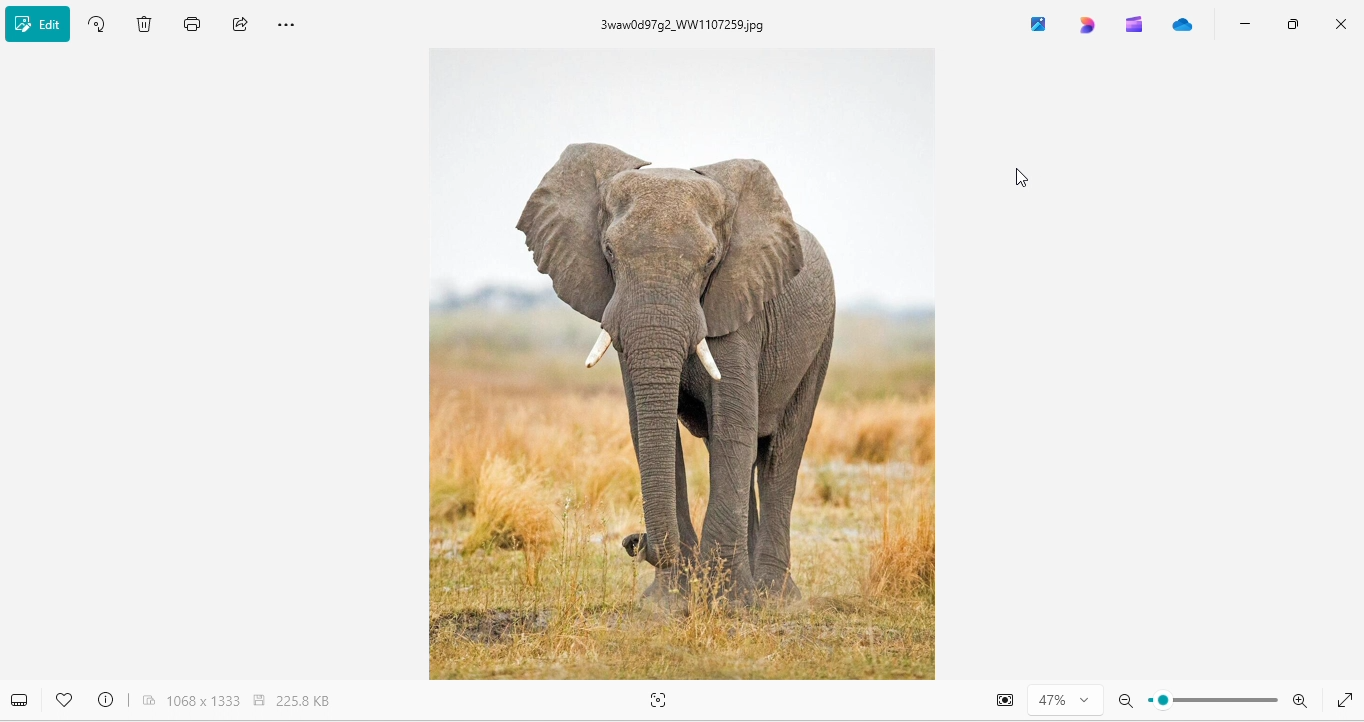  Describe the element at coordinates (690, 367) in the screenshot. I see `image` at that location.